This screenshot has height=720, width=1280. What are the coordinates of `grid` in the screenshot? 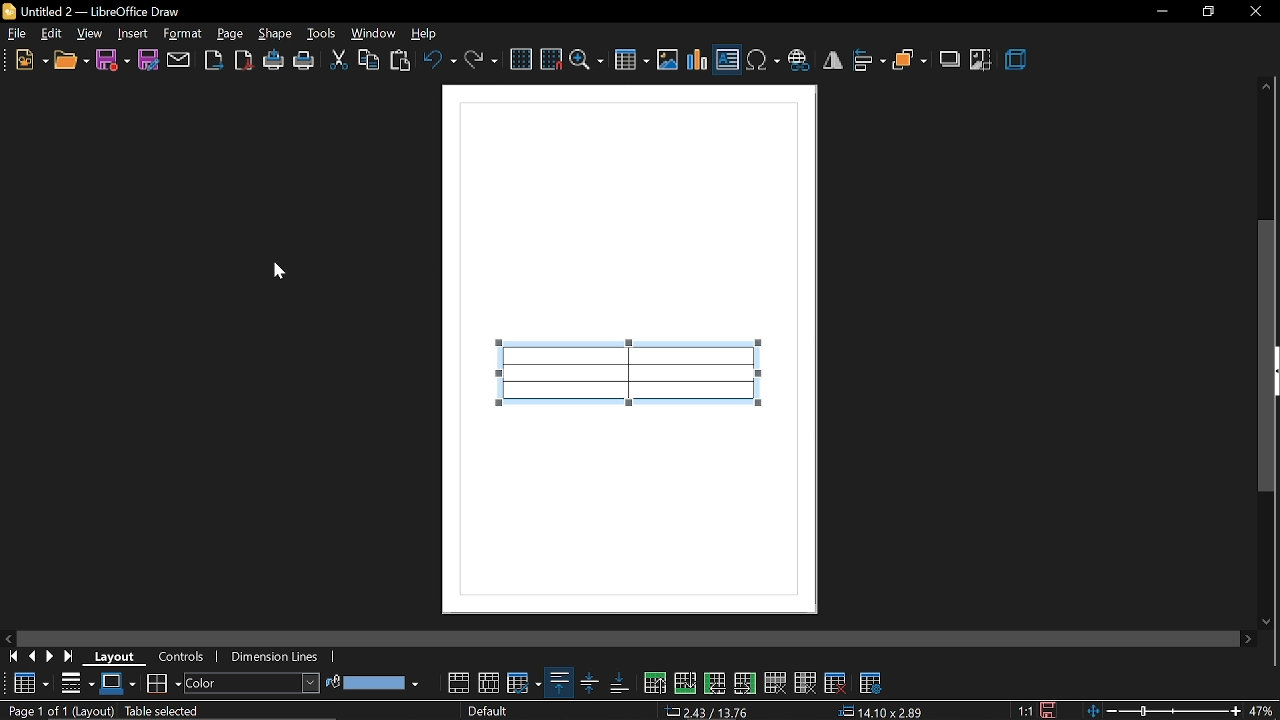 It's located at (522, 59).